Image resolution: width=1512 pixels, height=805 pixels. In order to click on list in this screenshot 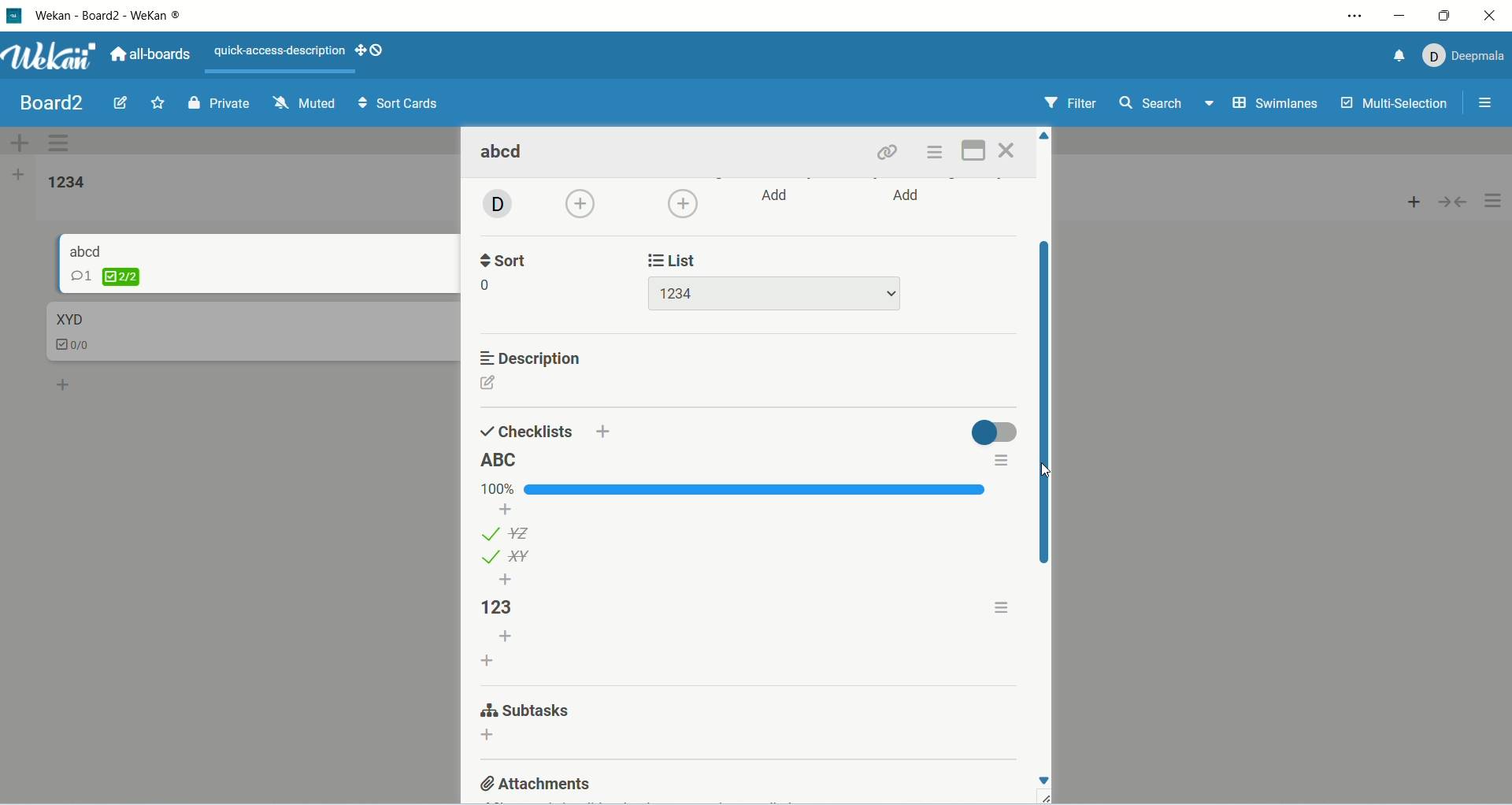, I will do `click(508, 532)`.